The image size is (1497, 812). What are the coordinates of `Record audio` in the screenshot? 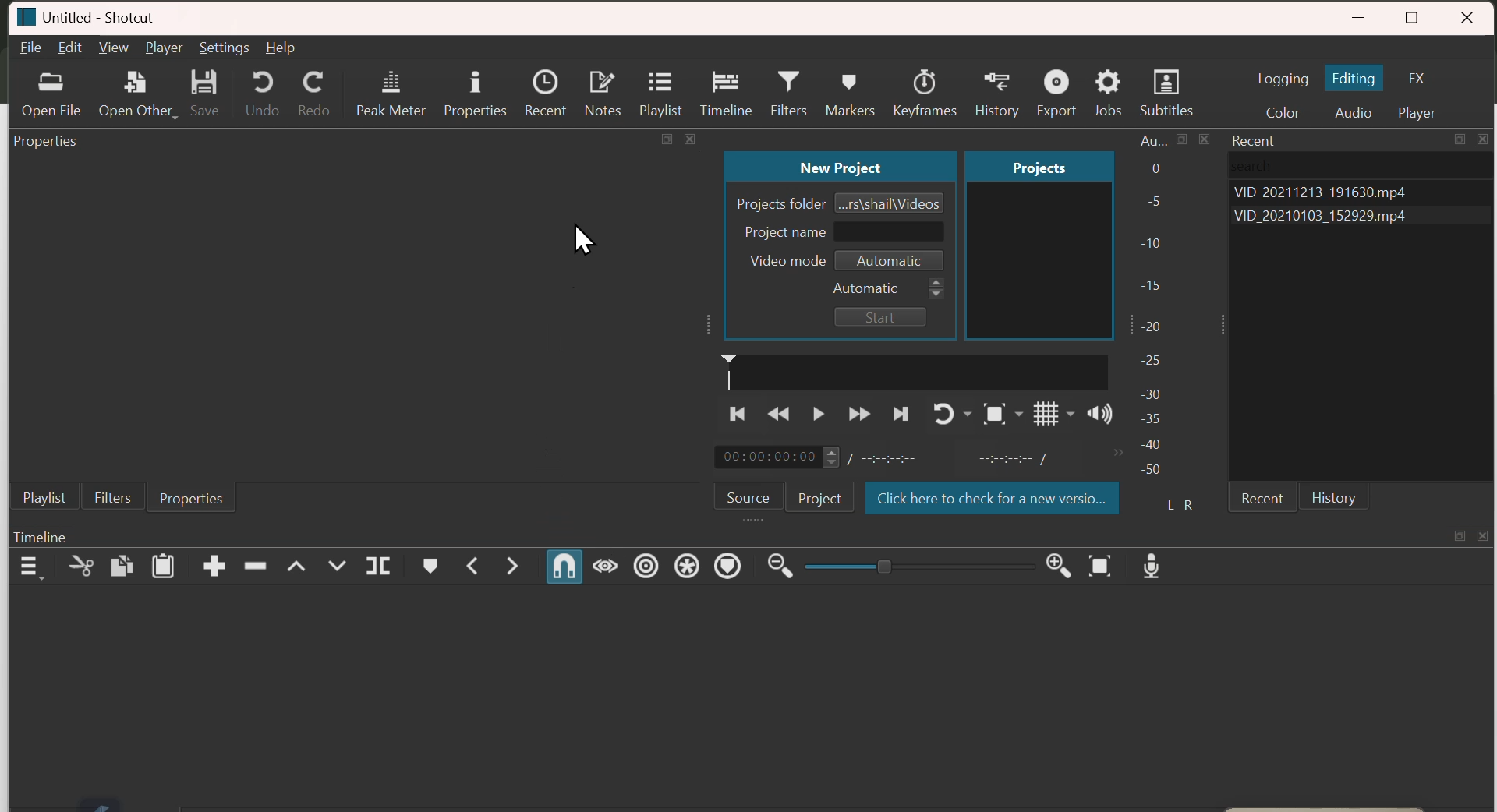 It's located at (1152, 566).